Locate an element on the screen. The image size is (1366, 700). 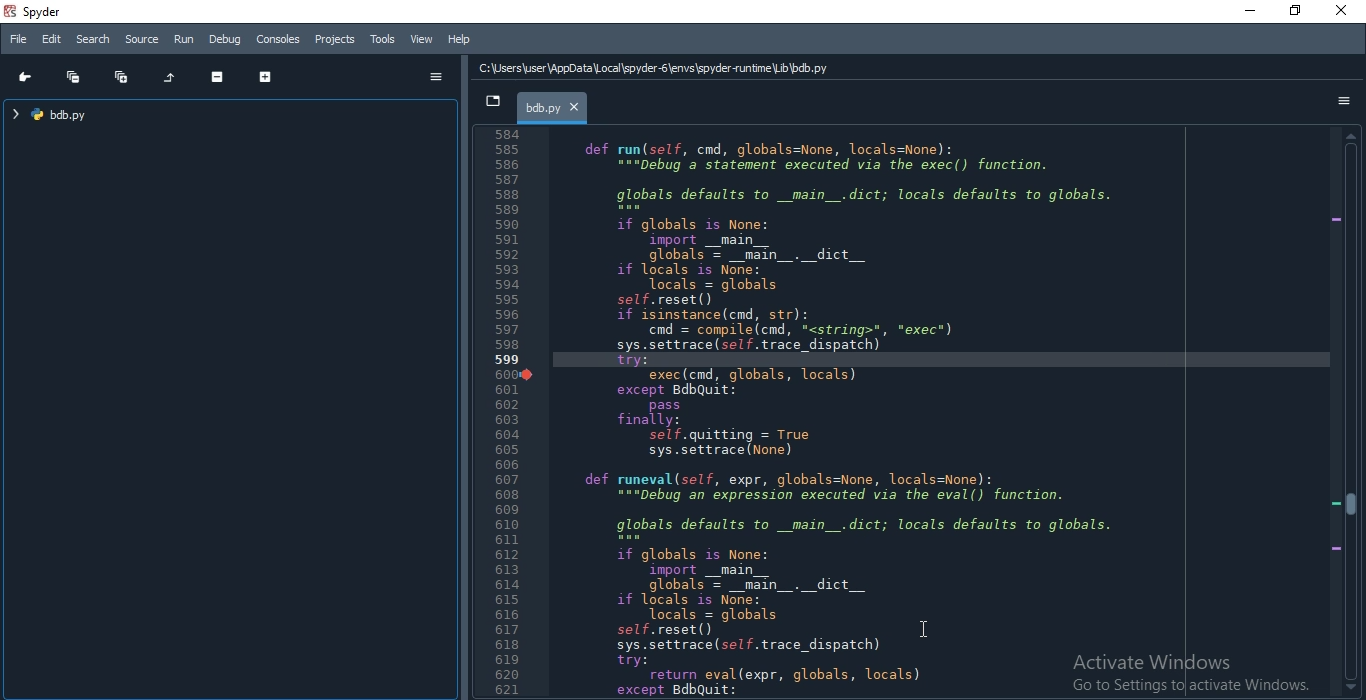
Line Number is located at coordinates (510, 413).